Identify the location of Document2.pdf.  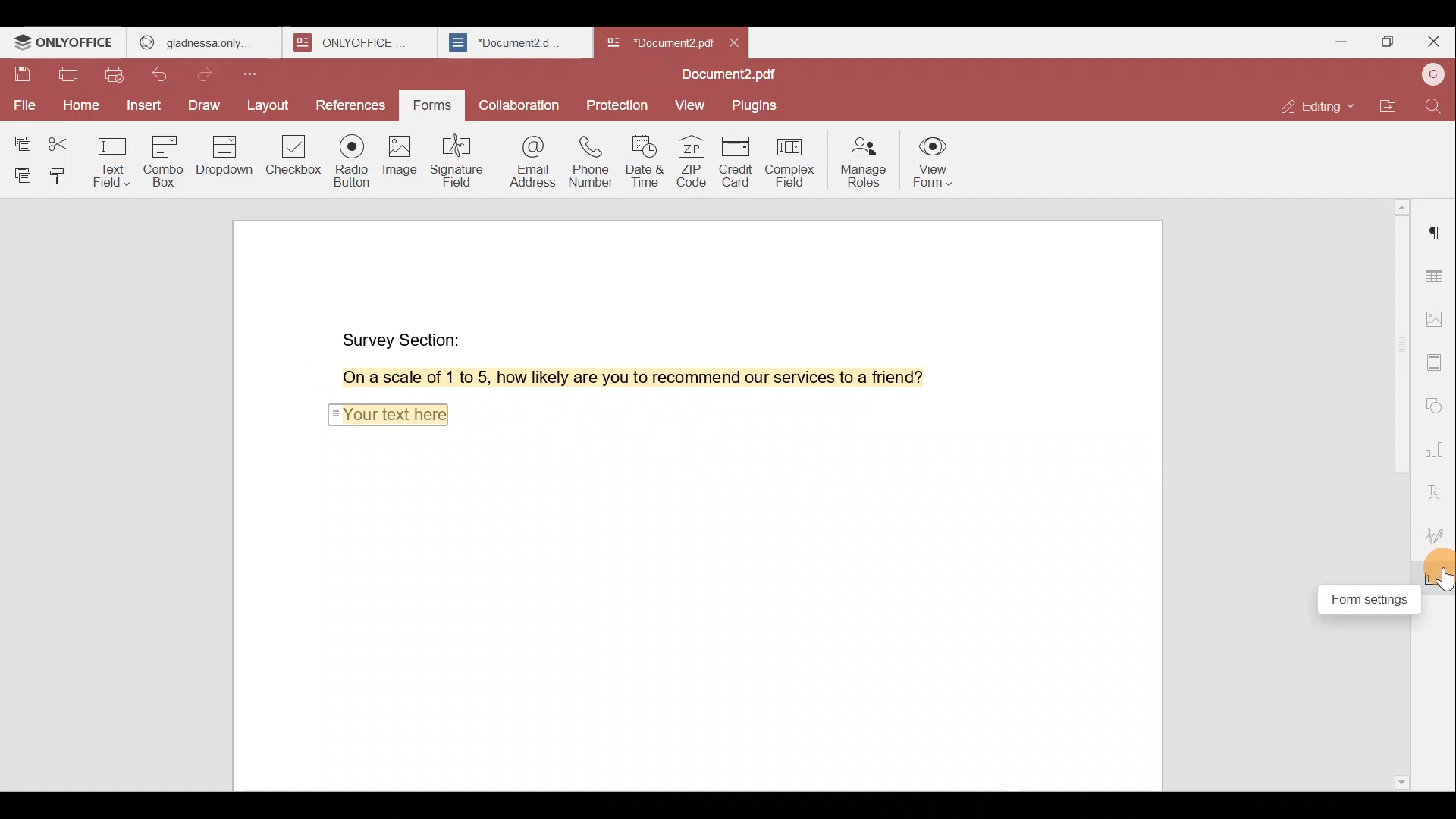
(657, 42).